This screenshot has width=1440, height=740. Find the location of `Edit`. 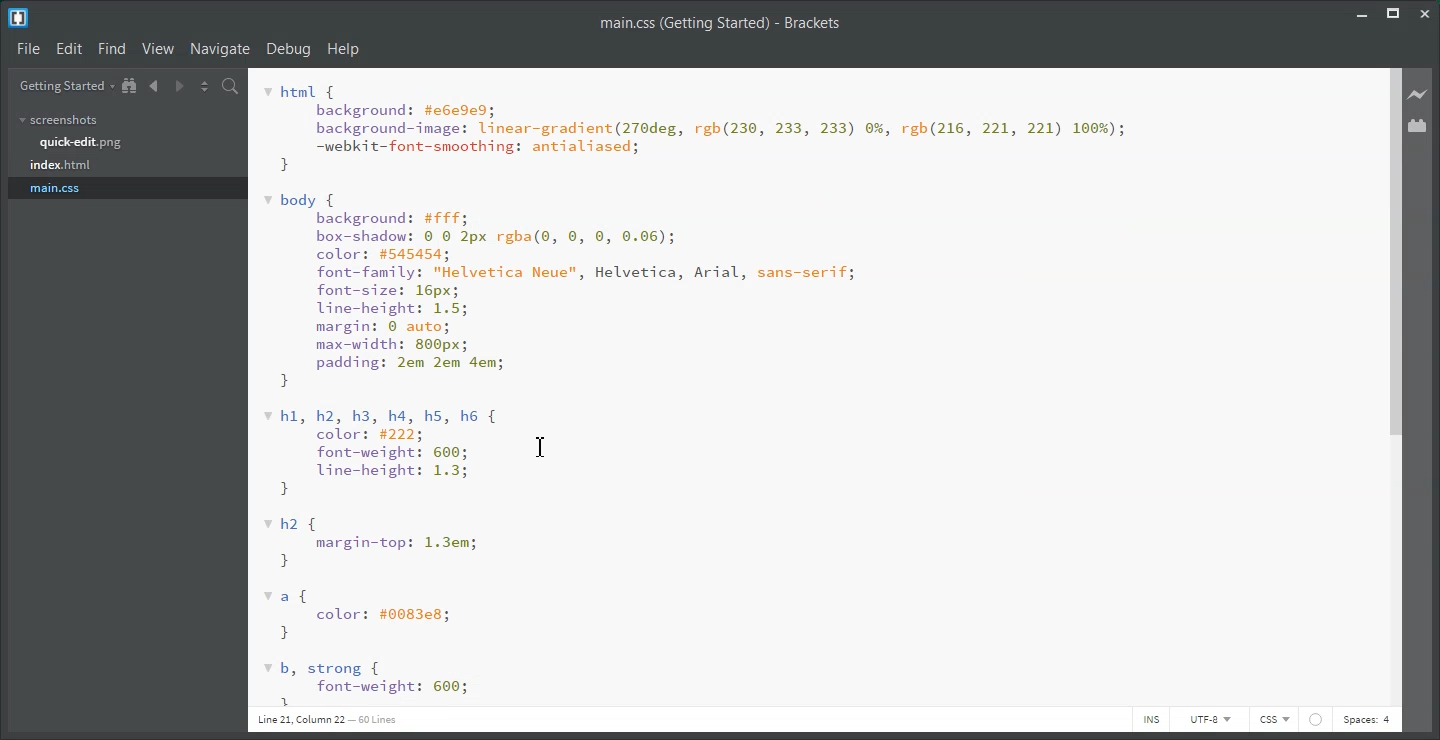

Edit is located at coordinates (69, 49).